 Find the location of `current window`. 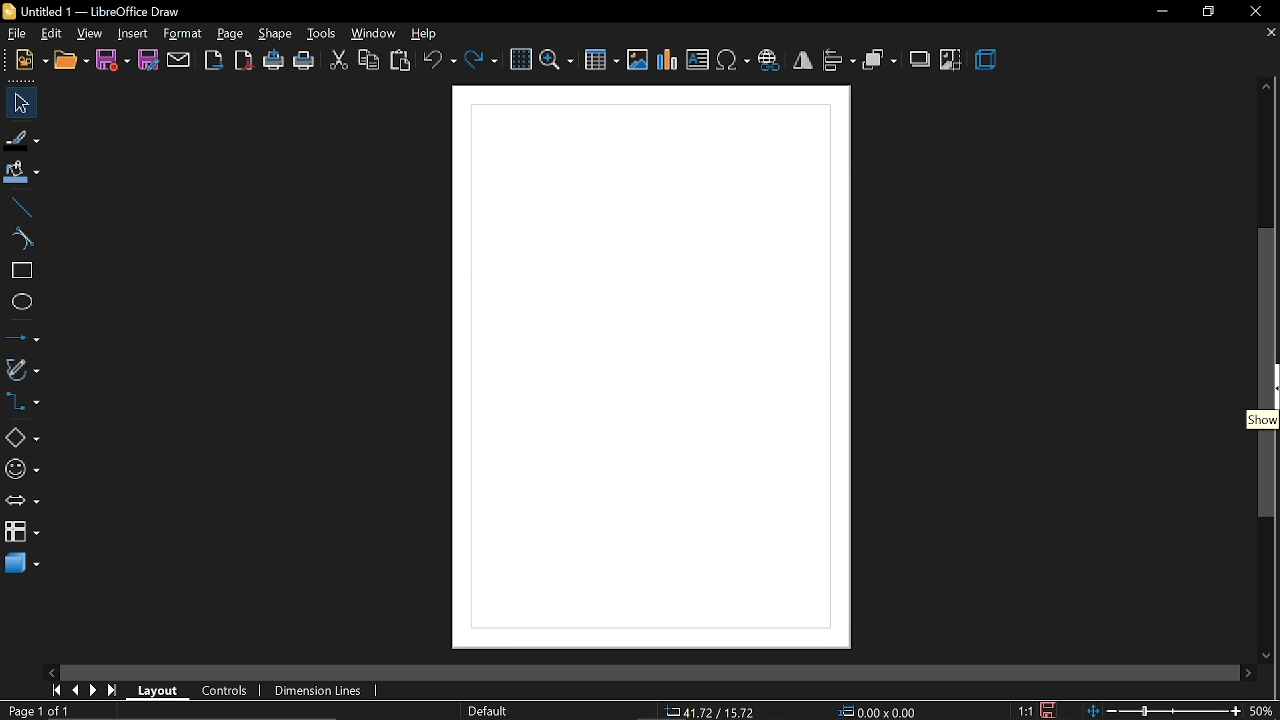

current window is located at coordinates (90, 11).